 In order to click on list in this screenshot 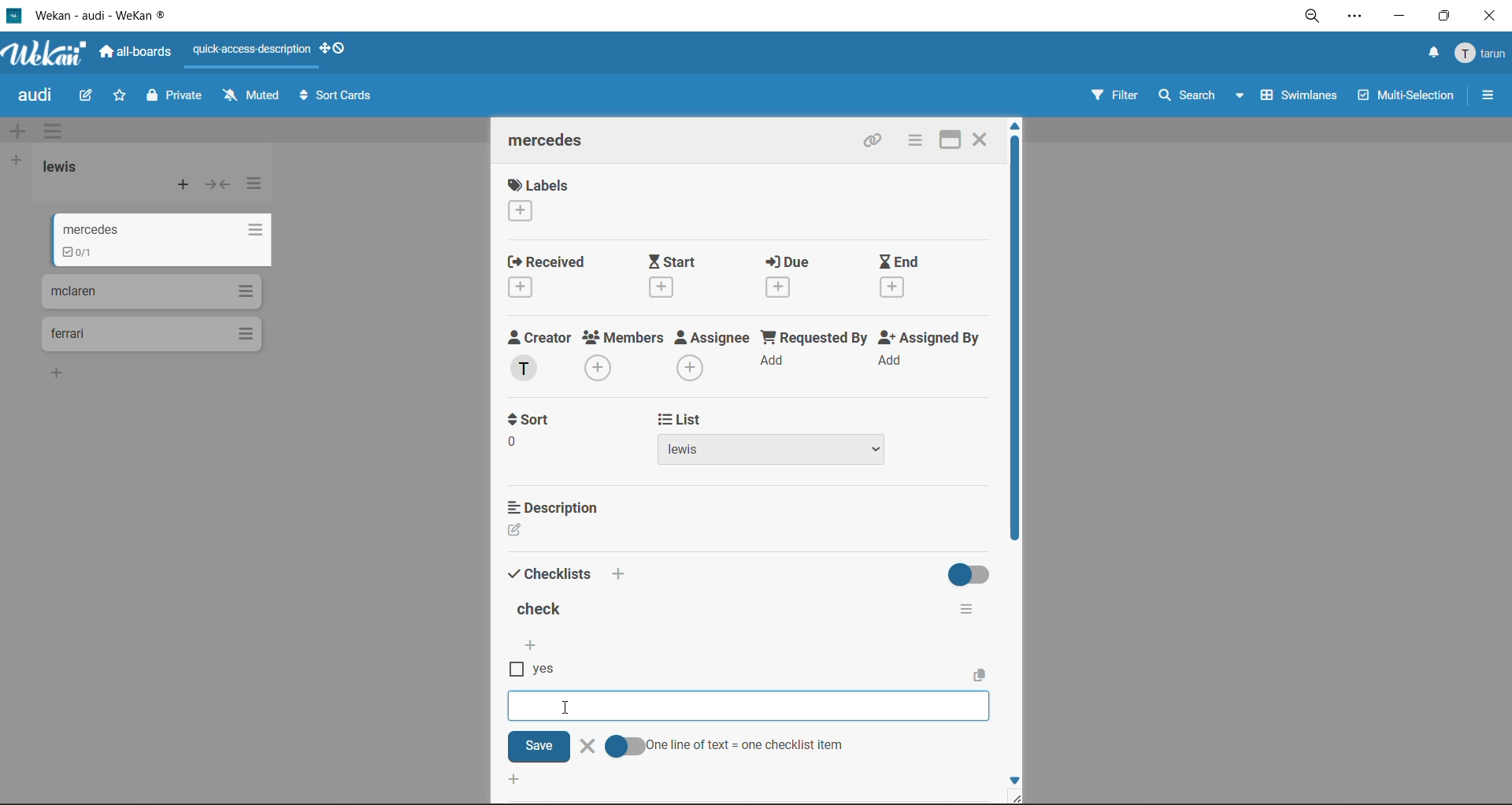, I will do `click(677, 421)`.